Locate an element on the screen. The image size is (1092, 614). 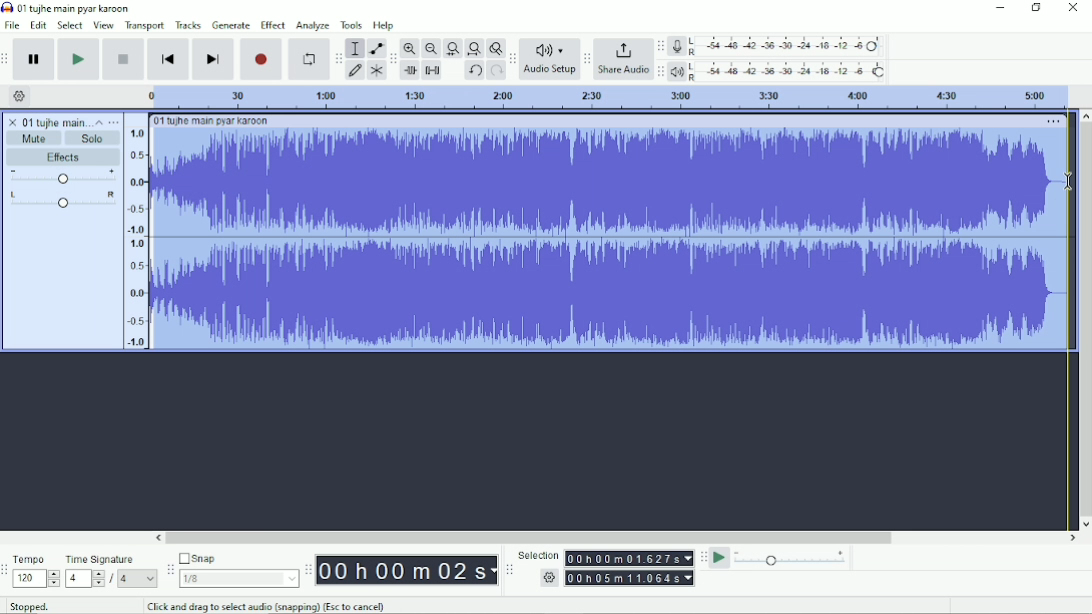
Audacity audio setup toolbar is located at coordinates (512, 59).